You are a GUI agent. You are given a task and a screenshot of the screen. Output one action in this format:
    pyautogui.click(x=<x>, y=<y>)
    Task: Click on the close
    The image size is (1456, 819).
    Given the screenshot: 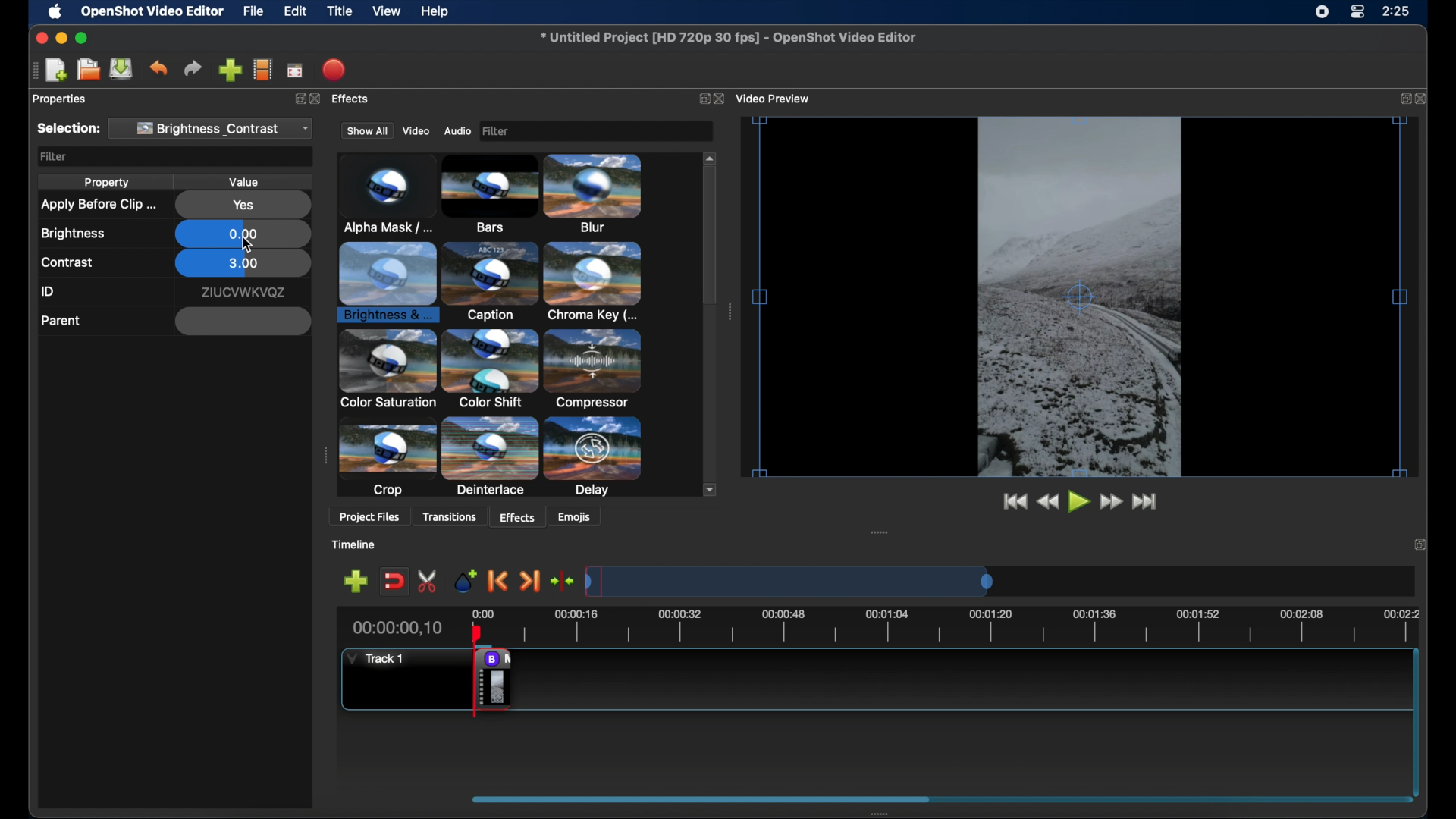 What is the action you would take?
    pyautogui.click(x=1423, y=98)
    